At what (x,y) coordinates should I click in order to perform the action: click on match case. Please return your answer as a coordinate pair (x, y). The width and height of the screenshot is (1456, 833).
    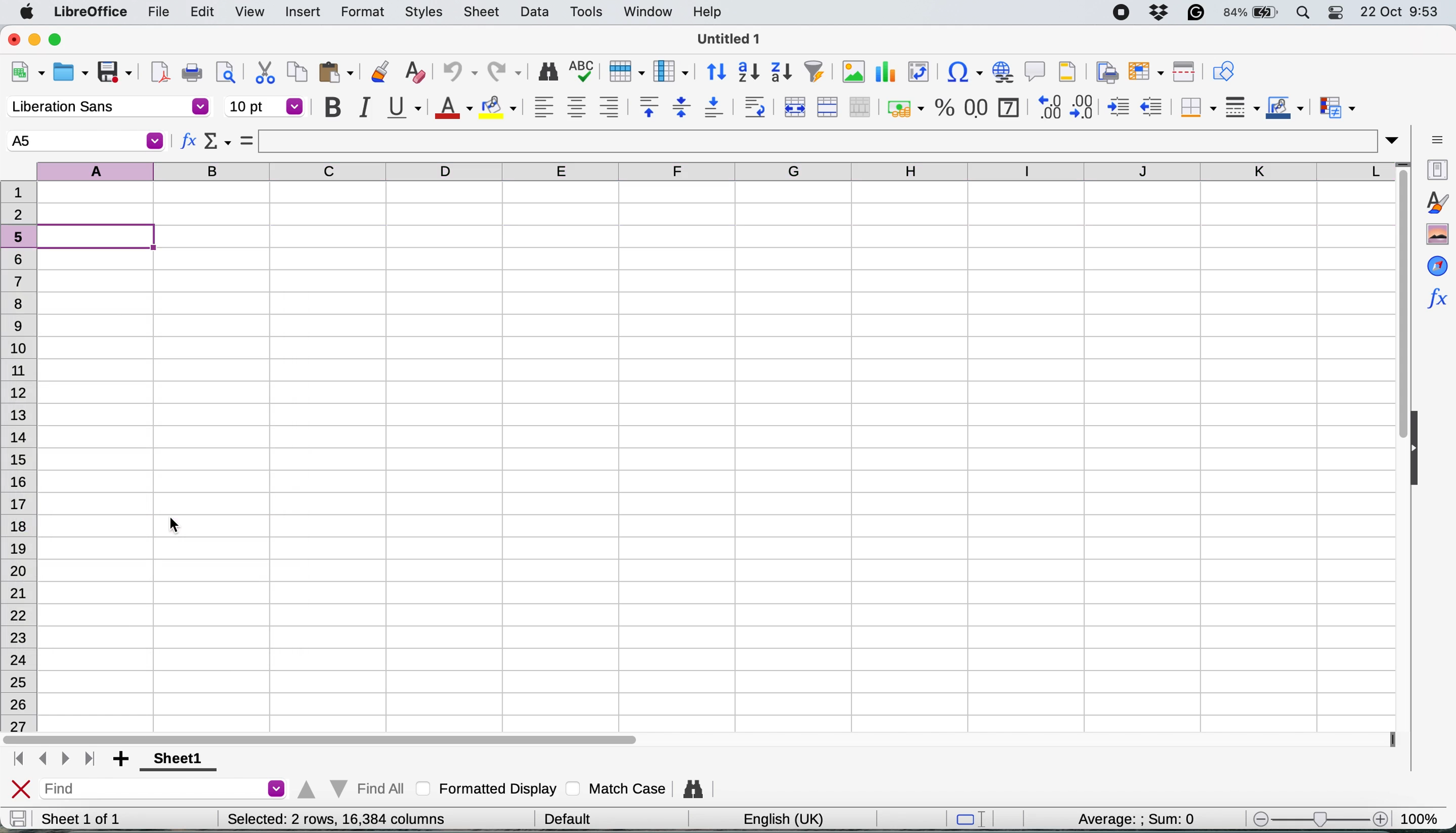
    Looking at the image, I should click on (616, 788).